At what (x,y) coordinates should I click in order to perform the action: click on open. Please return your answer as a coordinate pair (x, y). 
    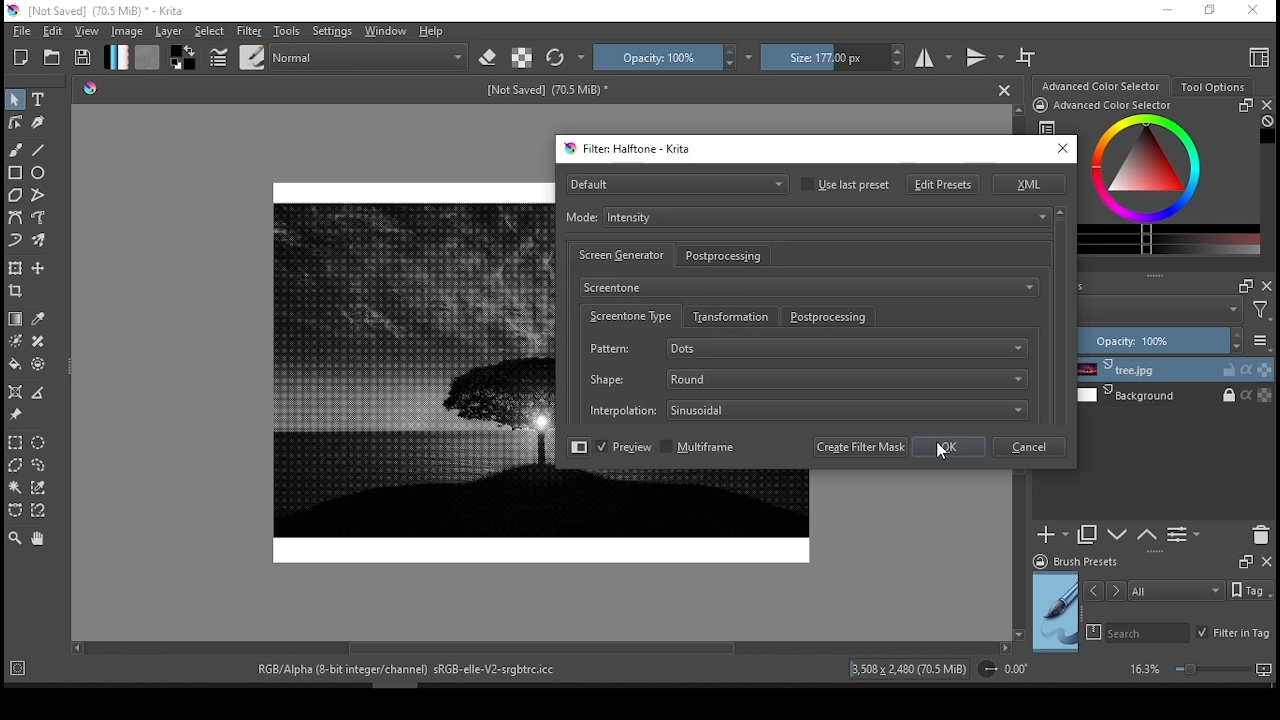
    Looking at the image, I should click on (52, 58).